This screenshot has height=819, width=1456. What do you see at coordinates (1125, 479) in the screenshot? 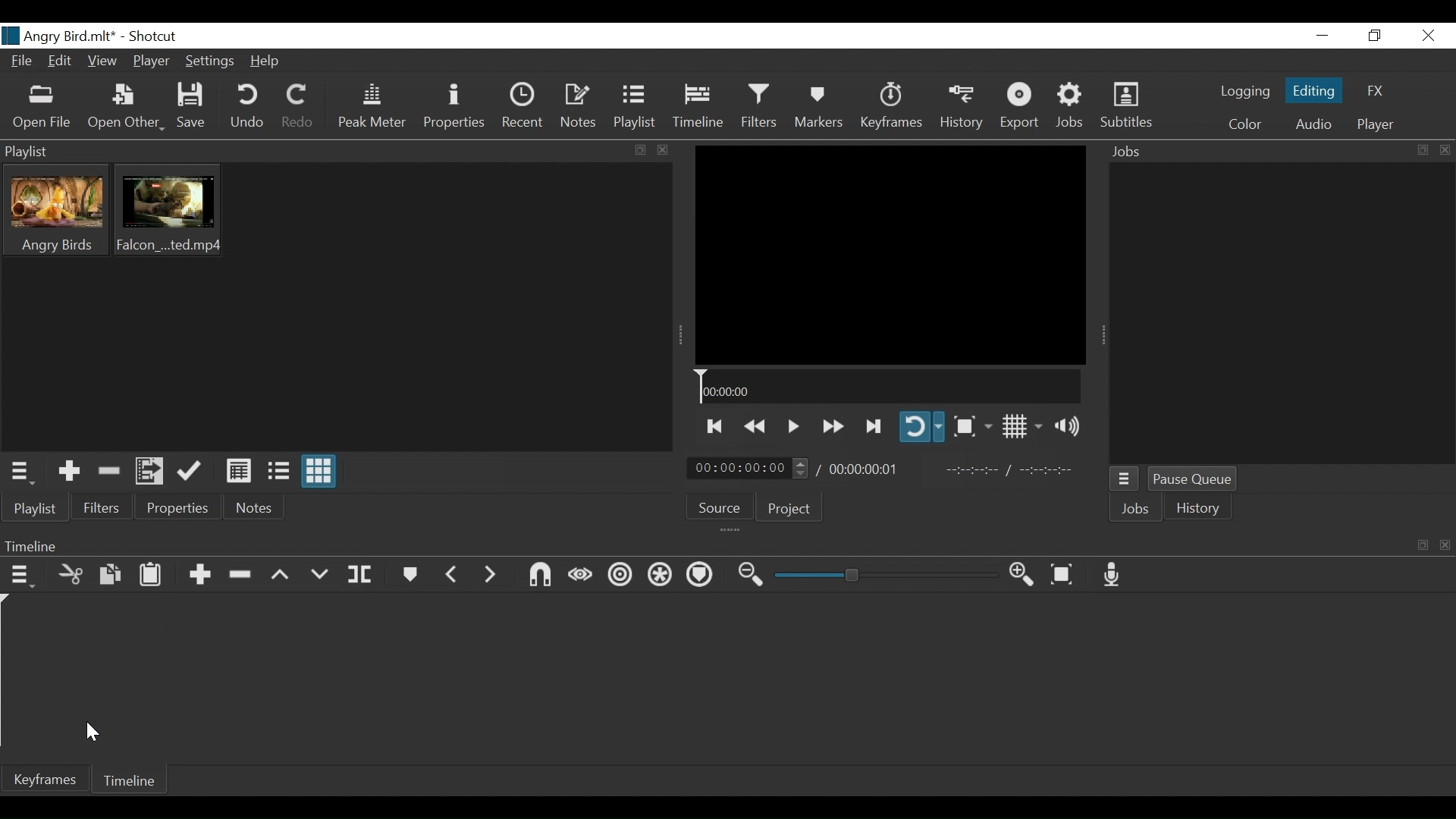
I see `Jobs menu` at bounding box center [1125, 479].